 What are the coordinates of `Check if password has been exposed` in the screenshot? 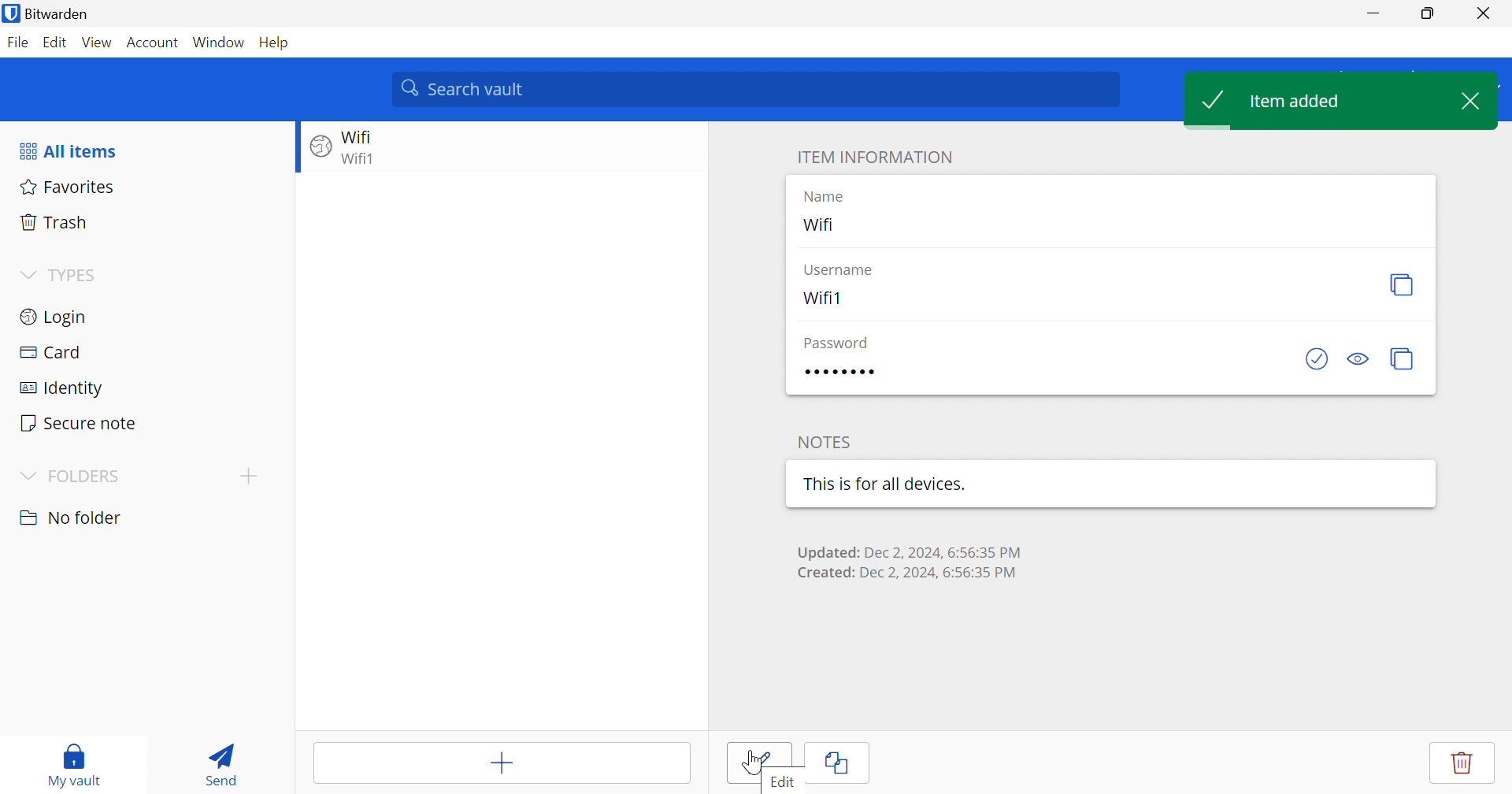 It's located at (1317, 359).